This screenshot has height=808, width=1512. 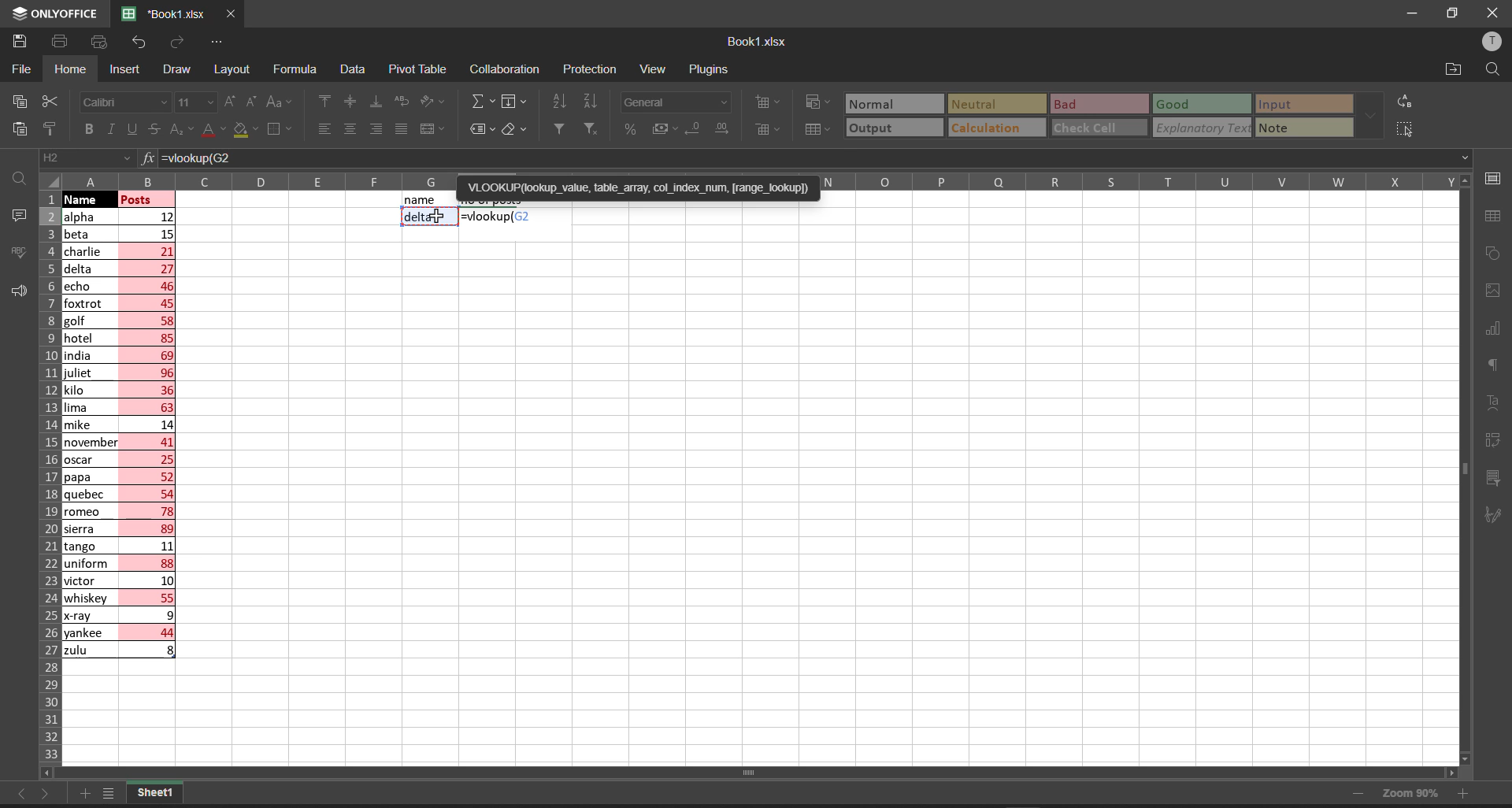 I want to click on format as table, so click(x=817, y=129).